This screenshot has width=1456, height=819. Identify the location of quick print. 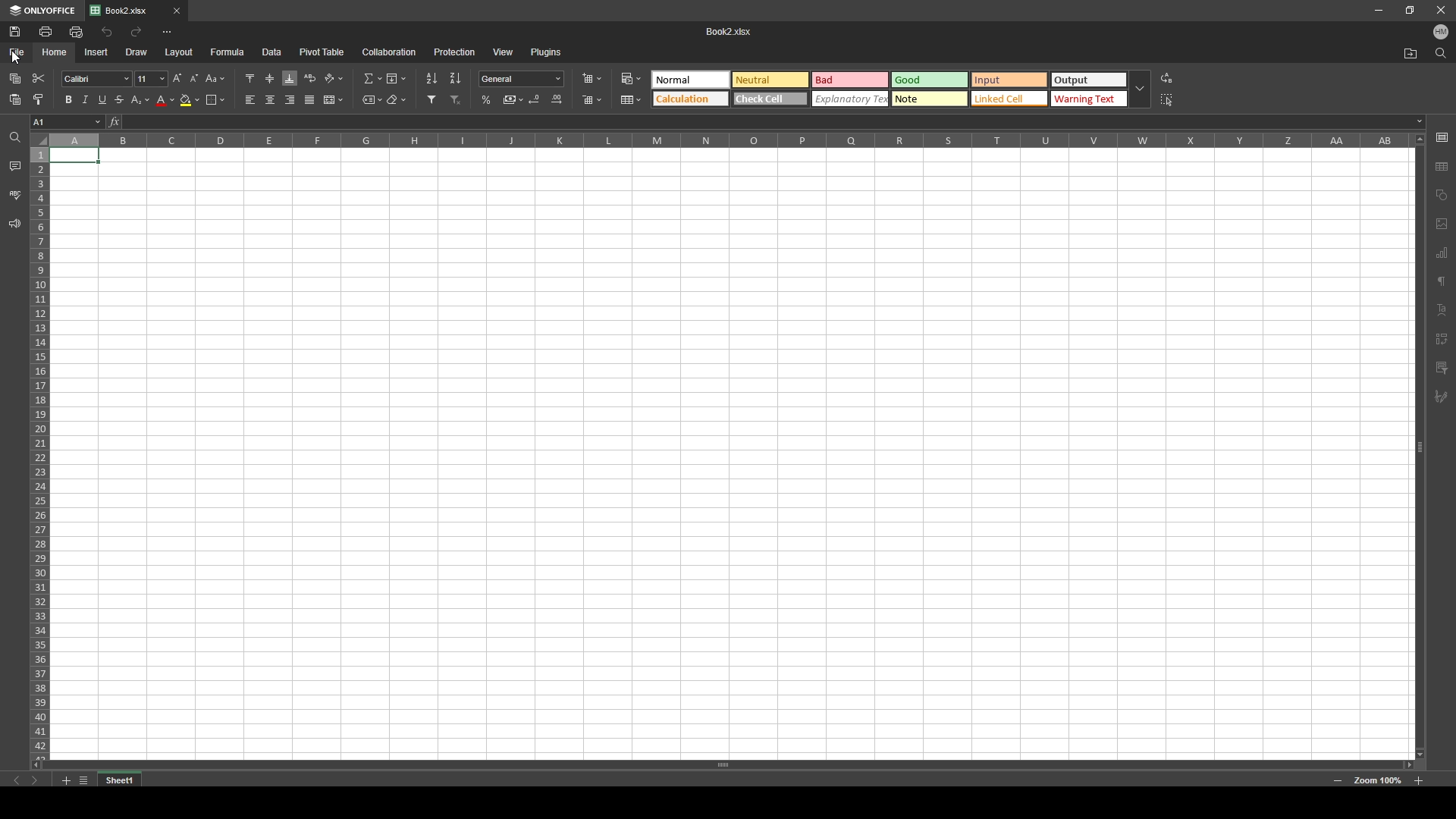
(77, 32).